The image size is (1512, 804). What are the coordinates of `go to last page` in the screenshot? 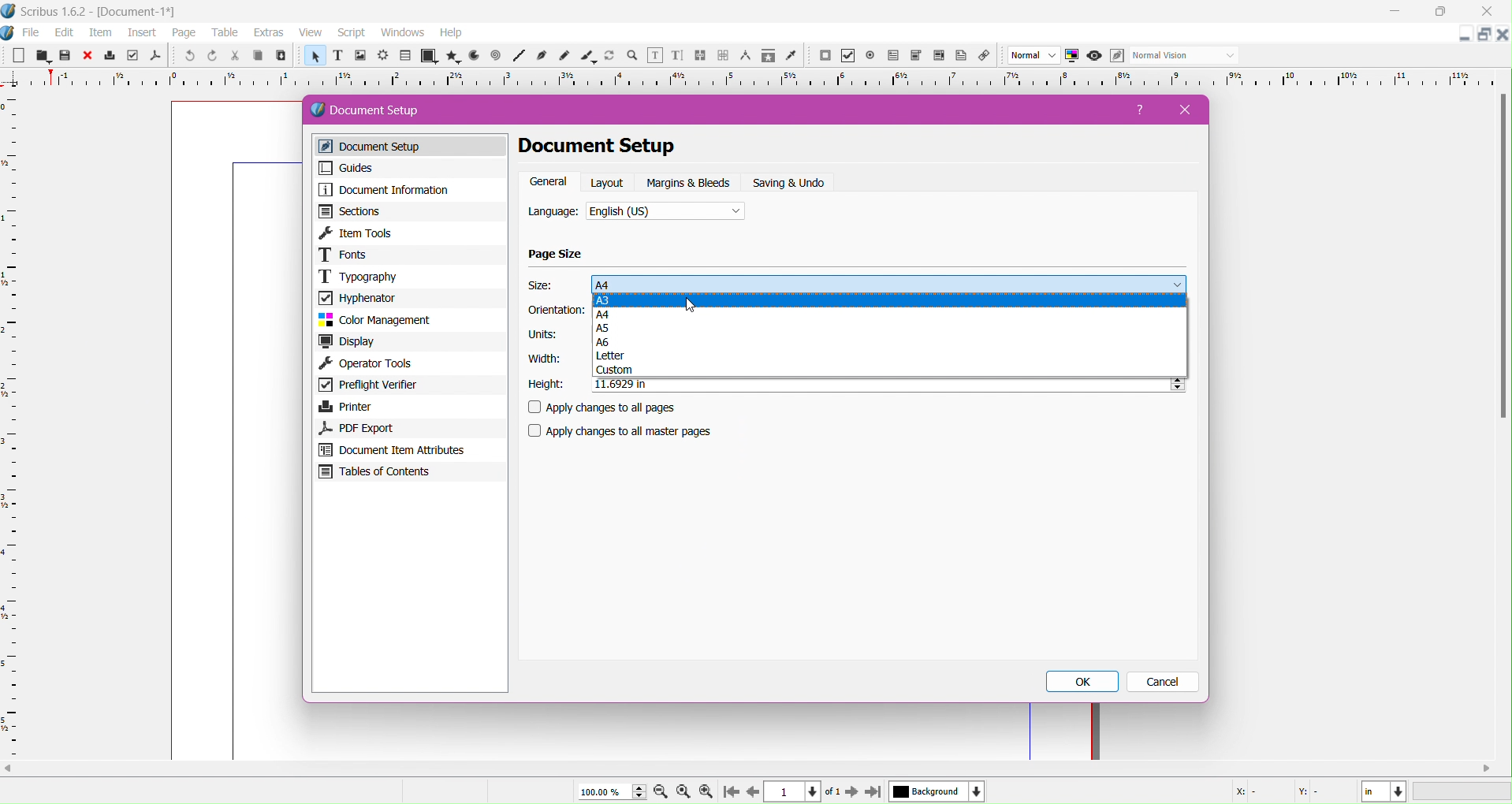 It's located at (873, 793).